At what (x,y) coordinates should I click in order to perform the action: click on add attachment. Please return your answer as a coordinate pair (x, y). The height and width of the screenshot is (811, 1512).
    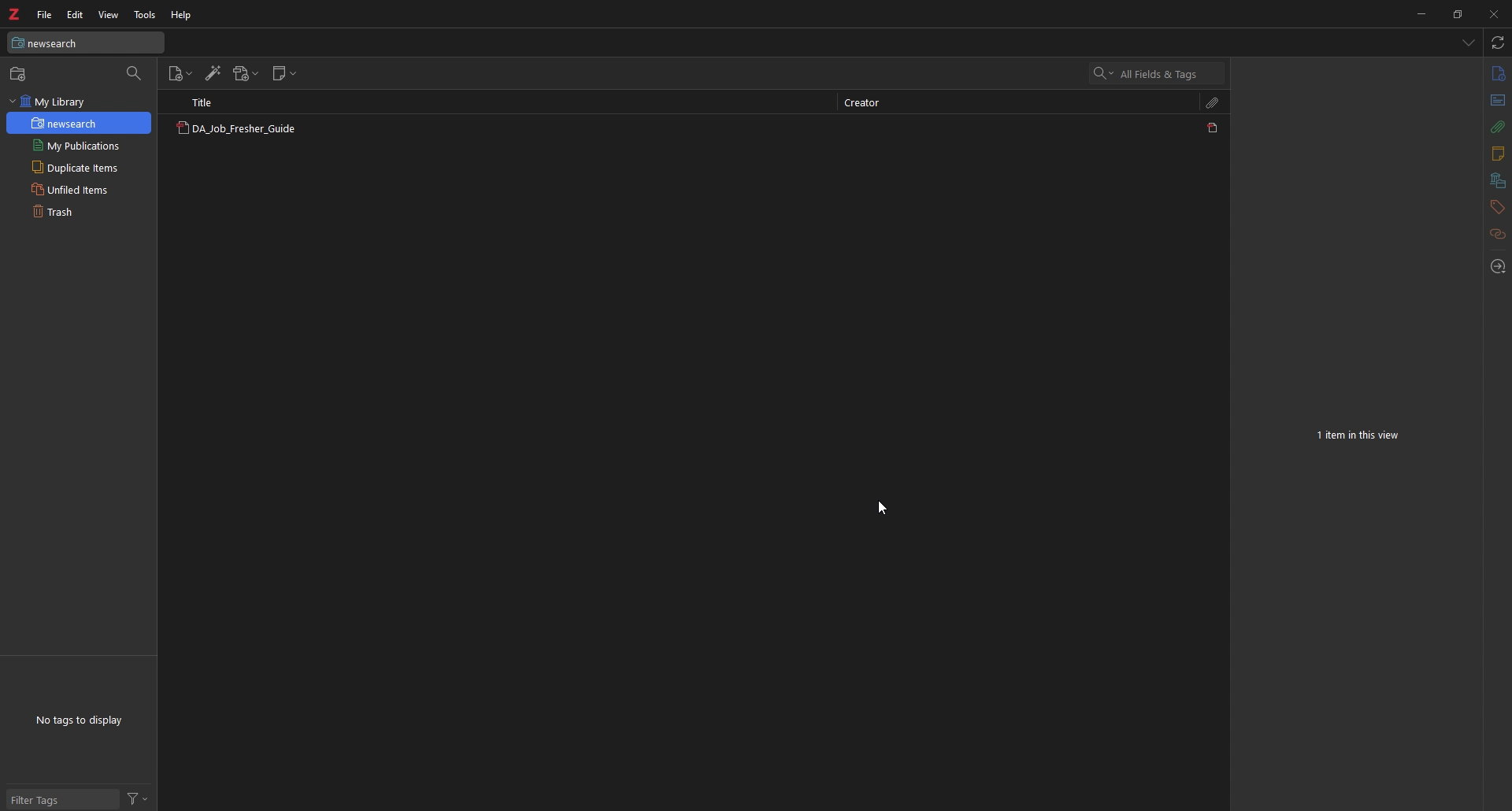
    Looking at the image, I should click on (246, 73).